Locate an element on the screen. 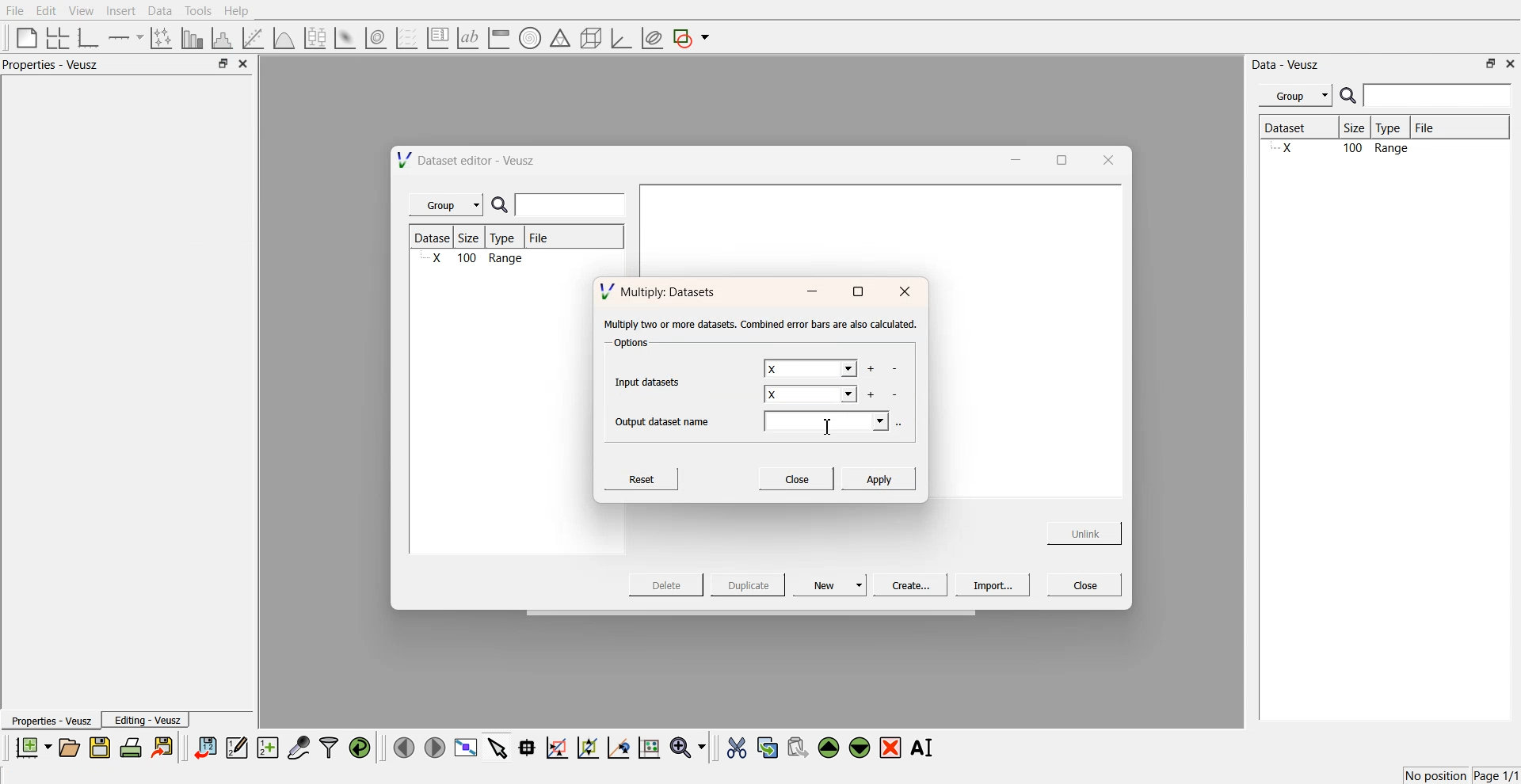 Image resolution: width=1521 pixels, height=784 pixels. delete datasets is located at coordinates (894, 370).